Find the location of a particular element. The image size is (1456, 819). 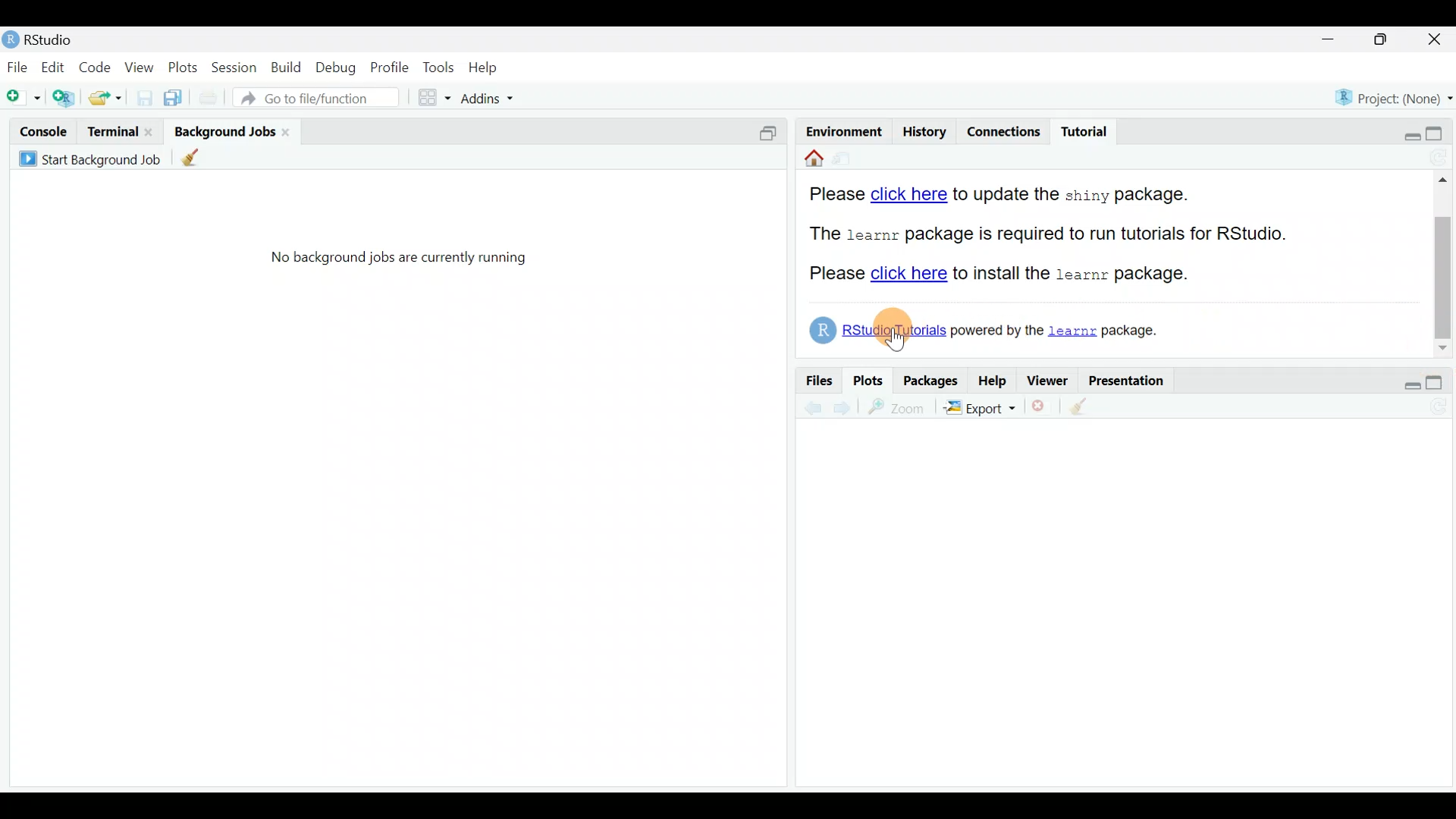

Create a project is located at coordinates (67, 99).